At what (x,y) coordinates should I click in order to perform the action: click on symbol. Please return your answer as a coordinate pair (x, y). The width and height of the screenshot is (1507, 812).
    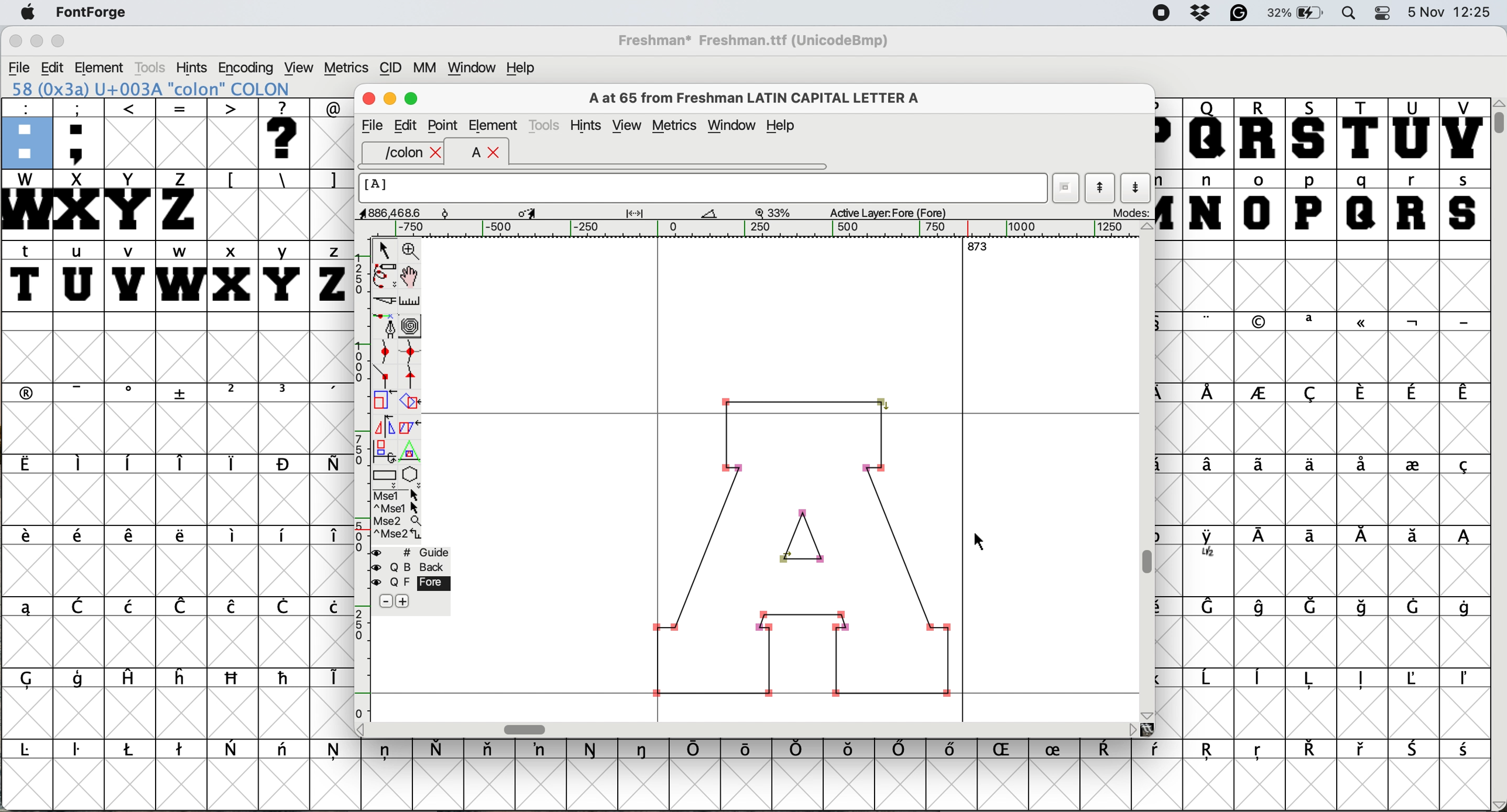
    Looking at the image, I should click on (29, 392).